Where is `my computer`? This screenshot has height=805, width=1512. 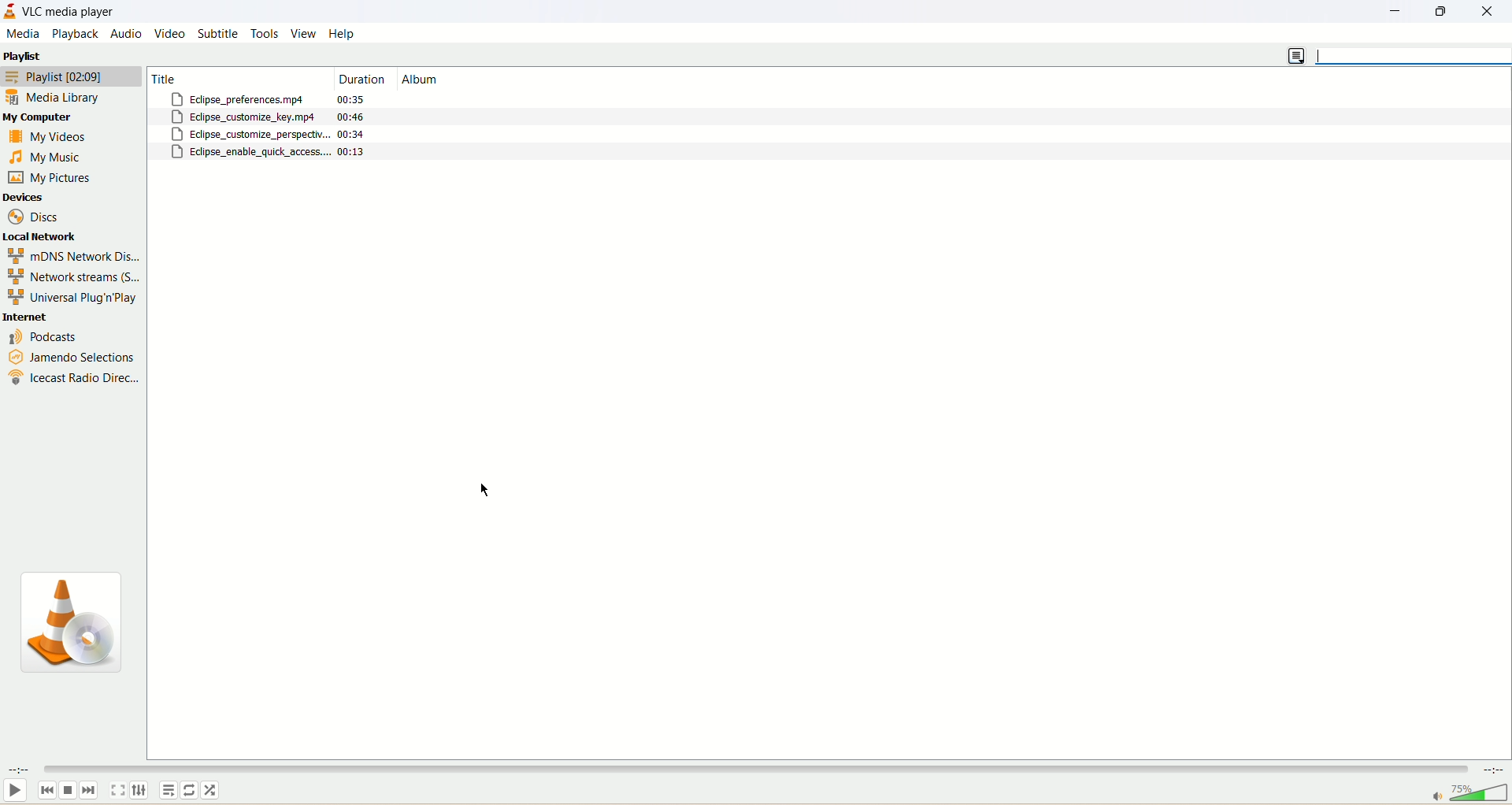
my computer is located at coordinates (47, 117).